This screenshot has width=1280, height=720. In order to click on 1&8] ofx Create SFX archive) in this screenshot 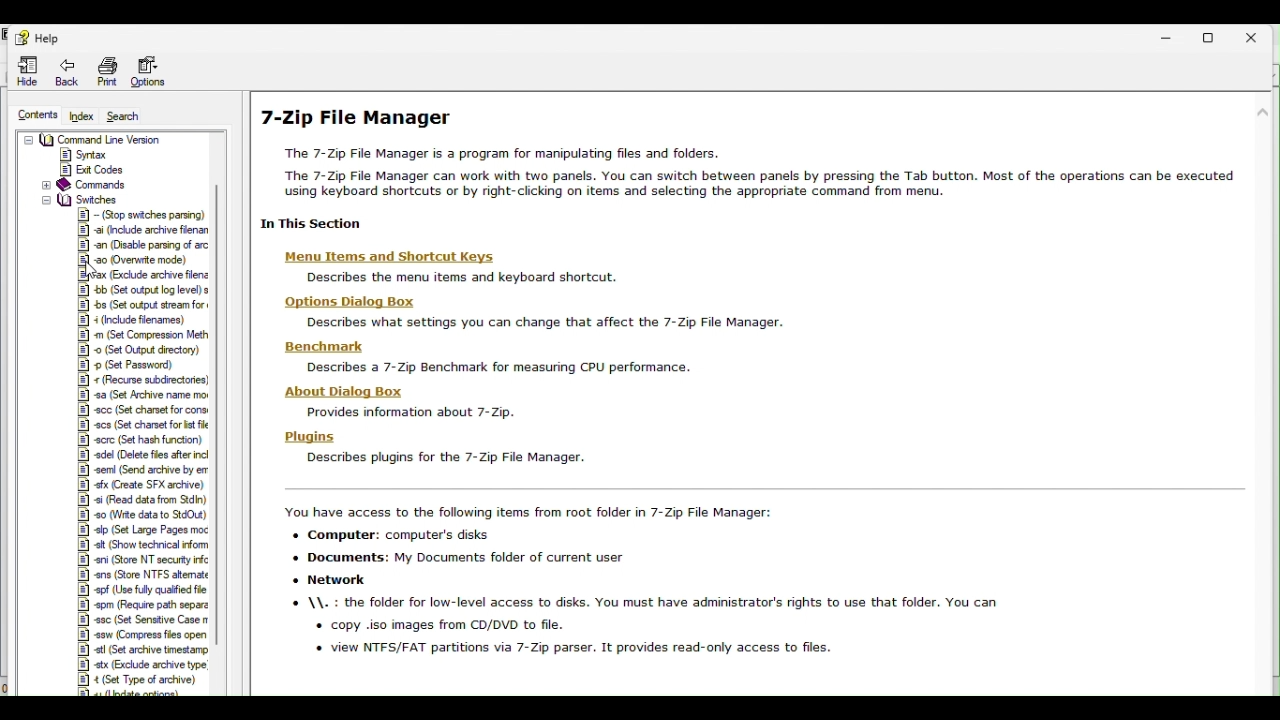, I will do `click(143, 484)`.